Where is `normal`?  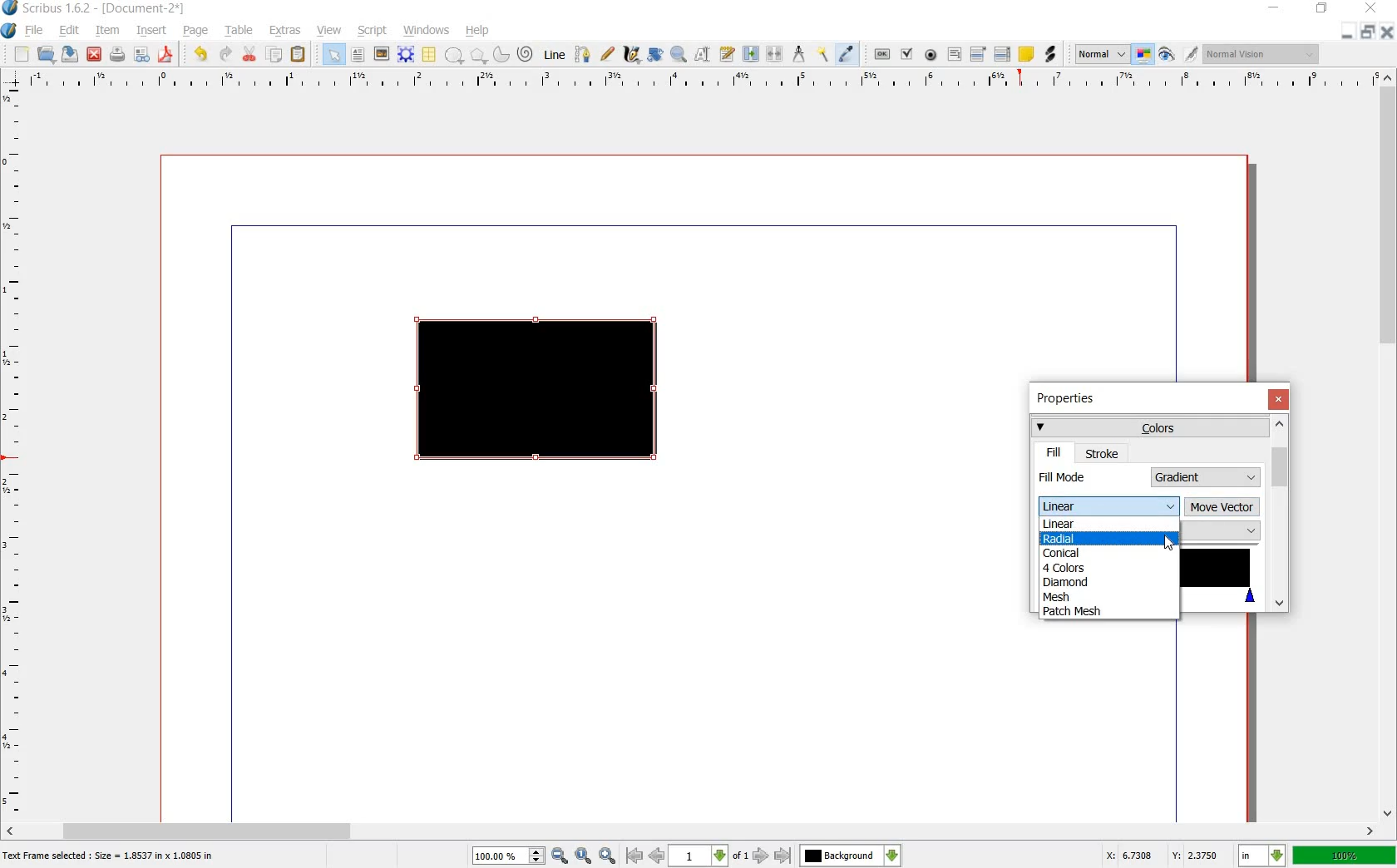
normal is located at coordinates (1102, 55).